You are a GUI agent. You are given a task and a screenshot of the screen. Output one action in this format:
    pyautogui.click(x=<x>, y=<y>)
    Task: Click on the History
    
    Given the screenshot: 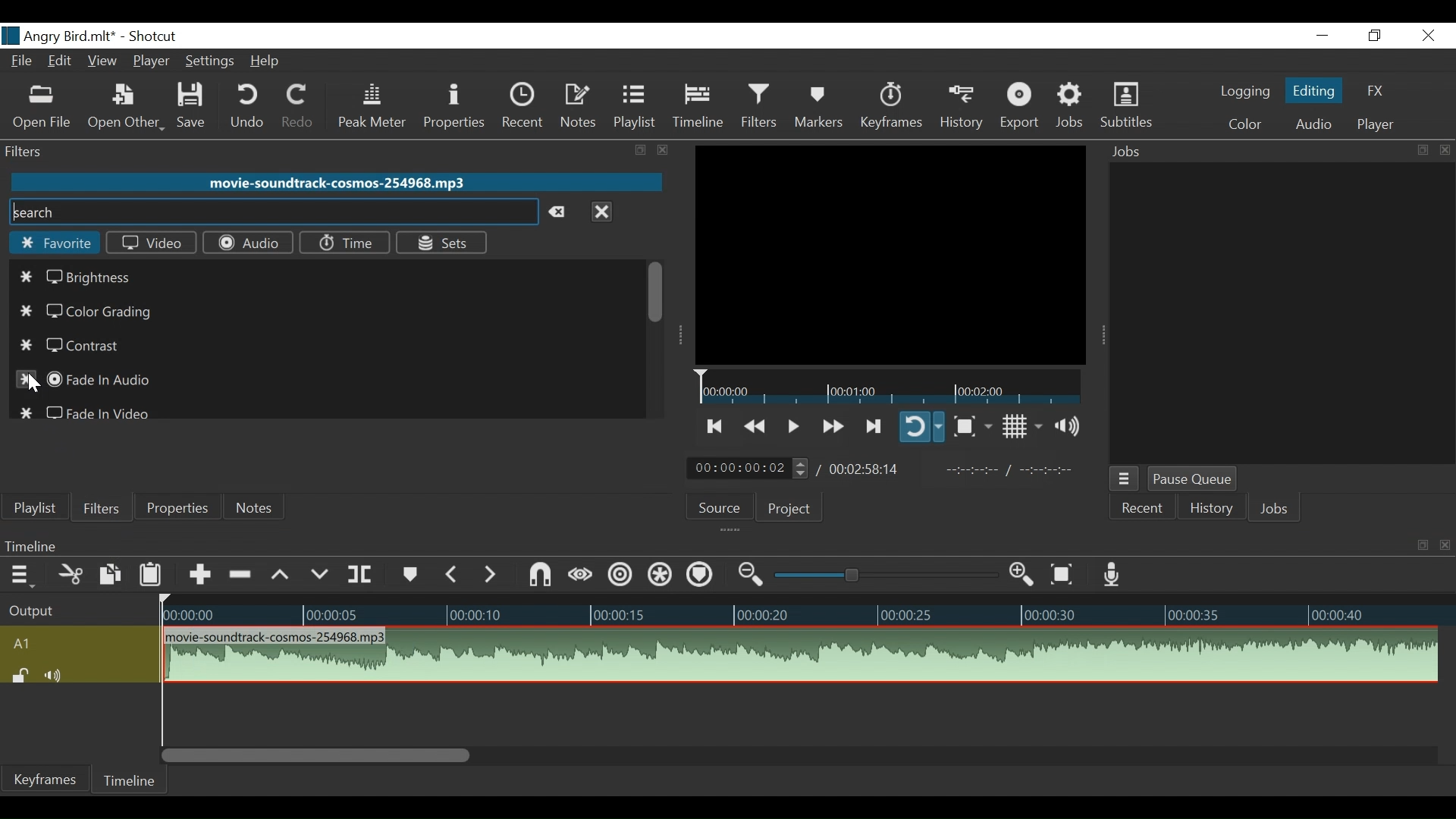 What is the action you would take?
    pyautogui.click(x=1210, y=510)
    